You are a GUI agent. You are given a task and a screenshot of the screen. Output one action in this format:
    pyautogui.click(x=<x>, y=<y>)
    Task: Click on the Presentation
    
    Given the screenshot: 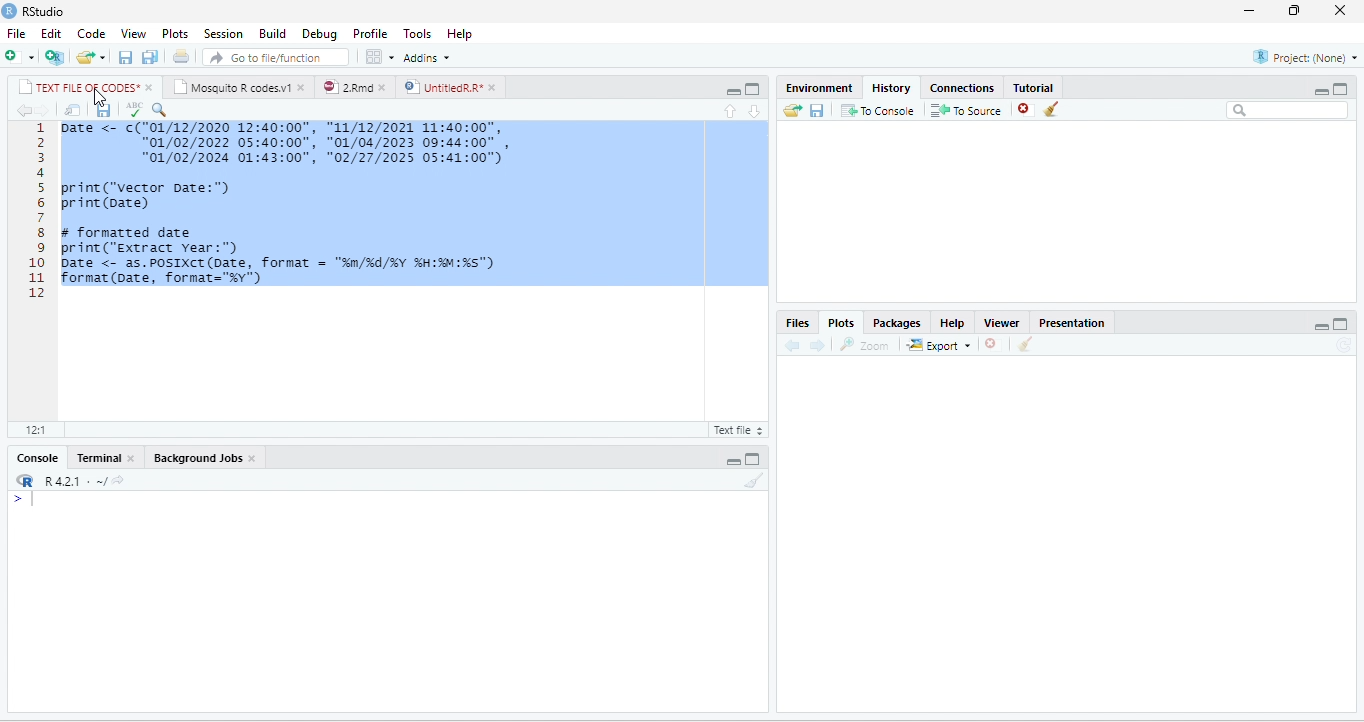 What is the action you would take?
    pyautogui.click(x=1072, y=323)
    